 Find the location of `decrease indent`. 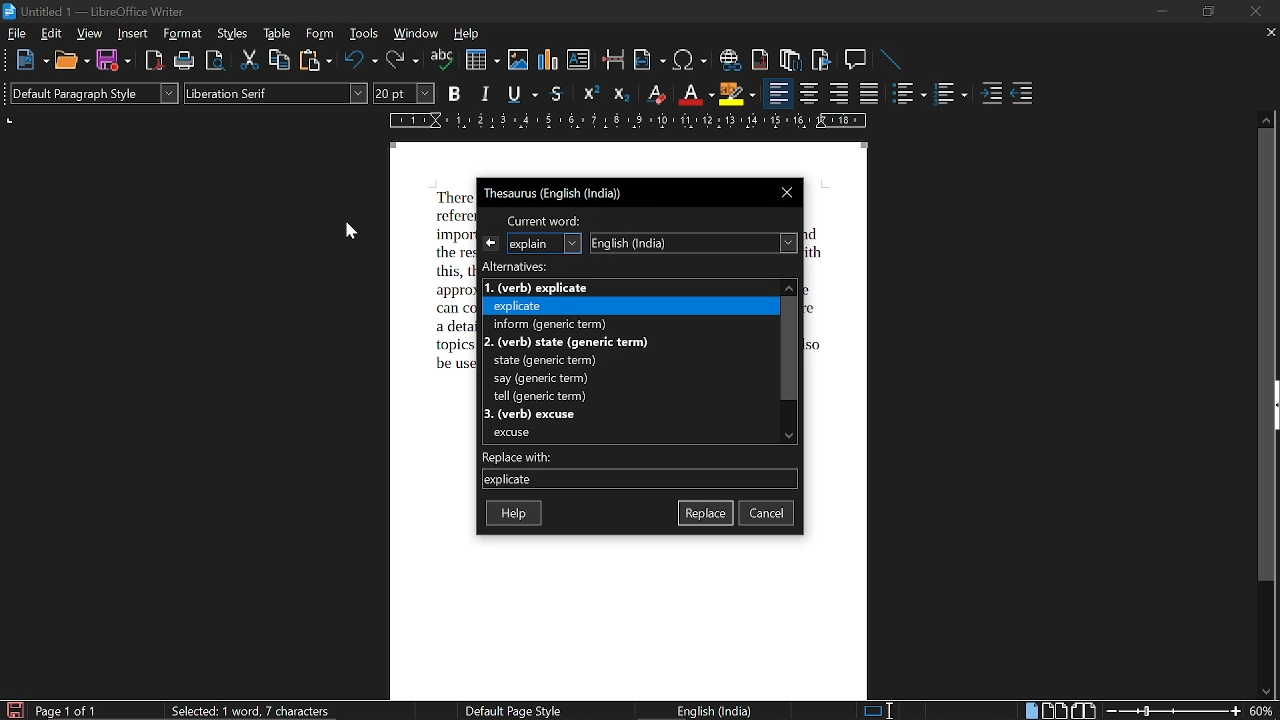

decrease indent is located at coordinates (1022, 94).